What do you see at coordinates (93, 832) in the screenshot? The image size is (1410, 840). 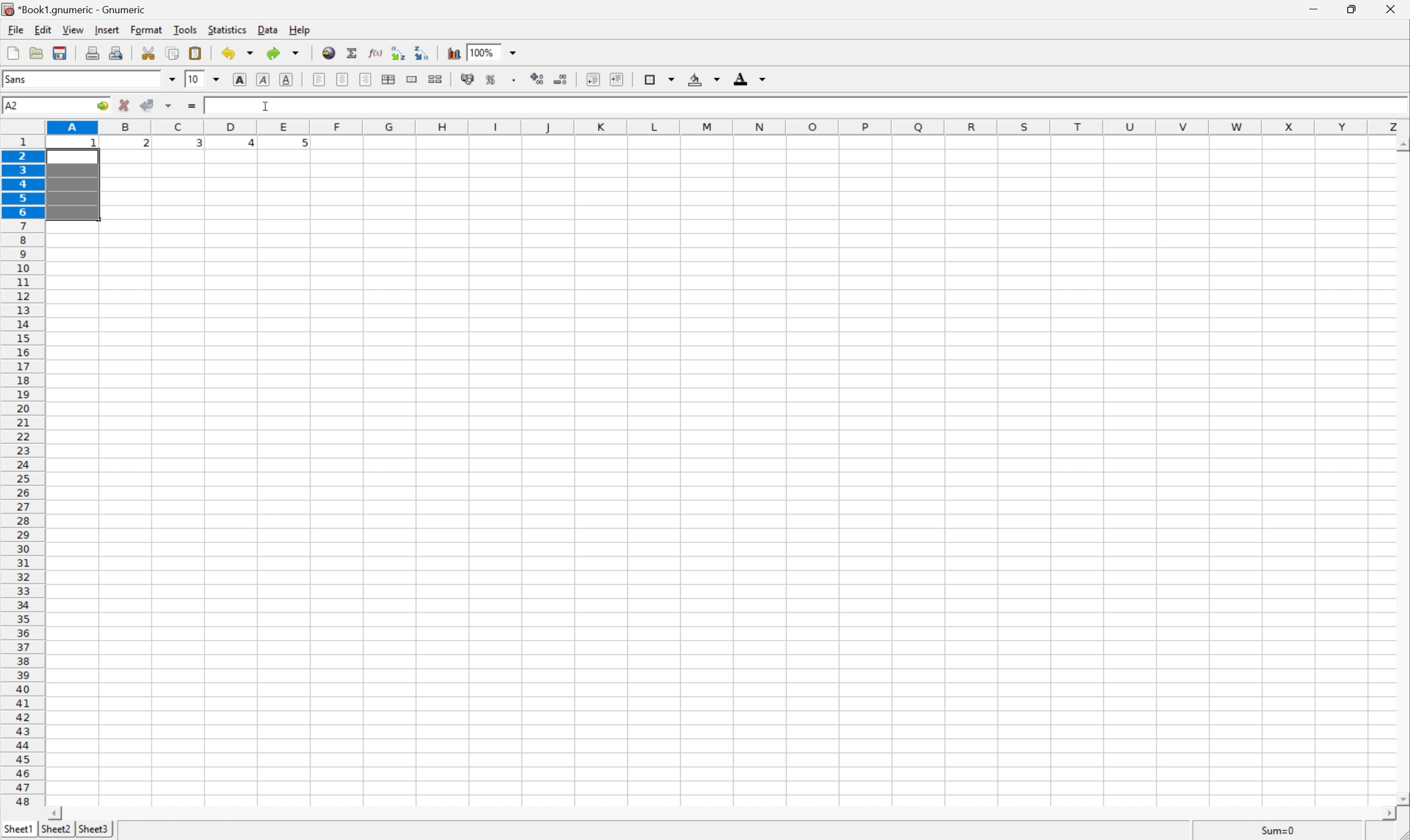 I see `sheet3` at bounding box center [93, 832].